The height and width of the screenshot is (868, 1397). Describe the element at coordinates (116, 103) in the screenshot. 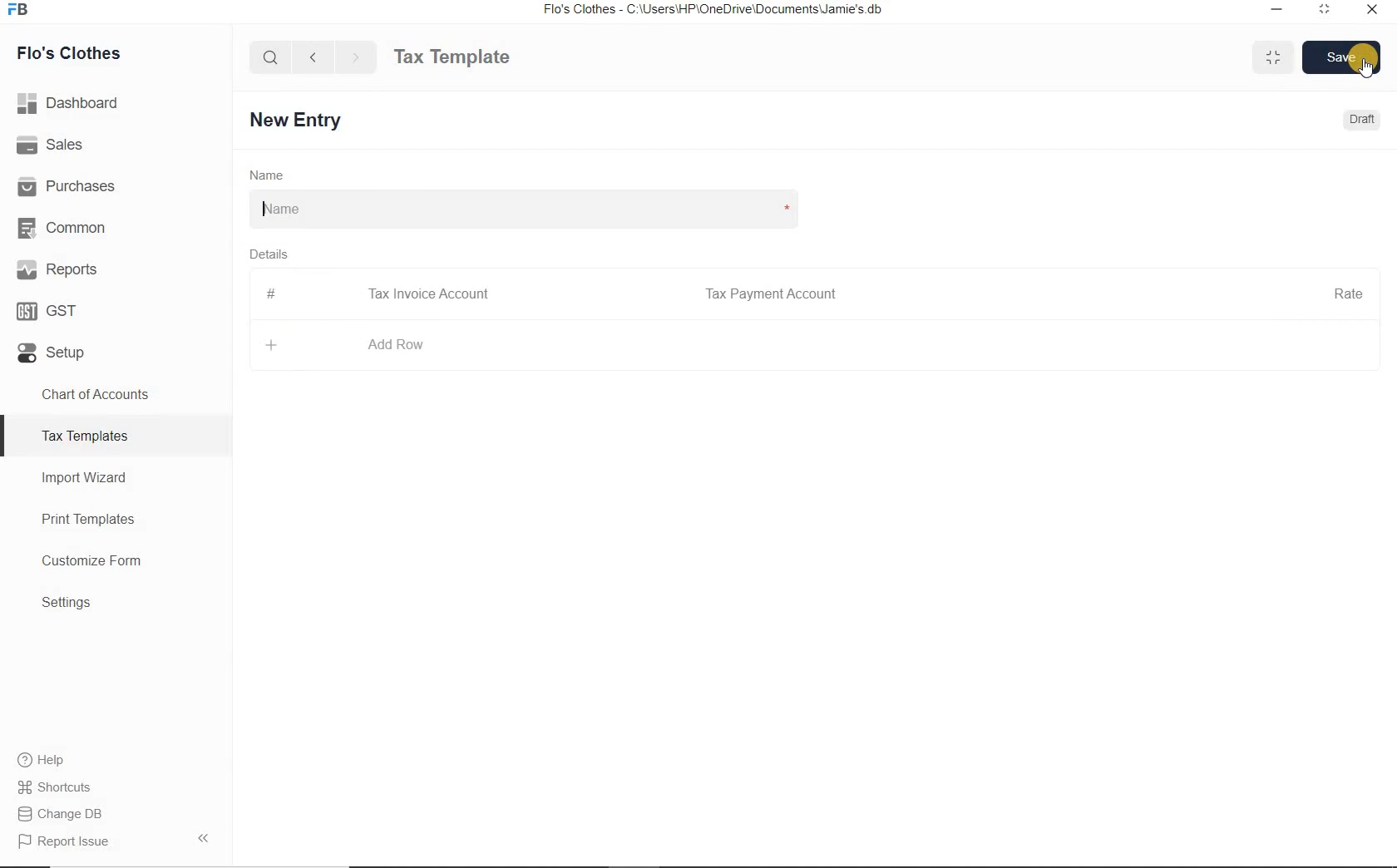

I see `Dashboard` at that location.